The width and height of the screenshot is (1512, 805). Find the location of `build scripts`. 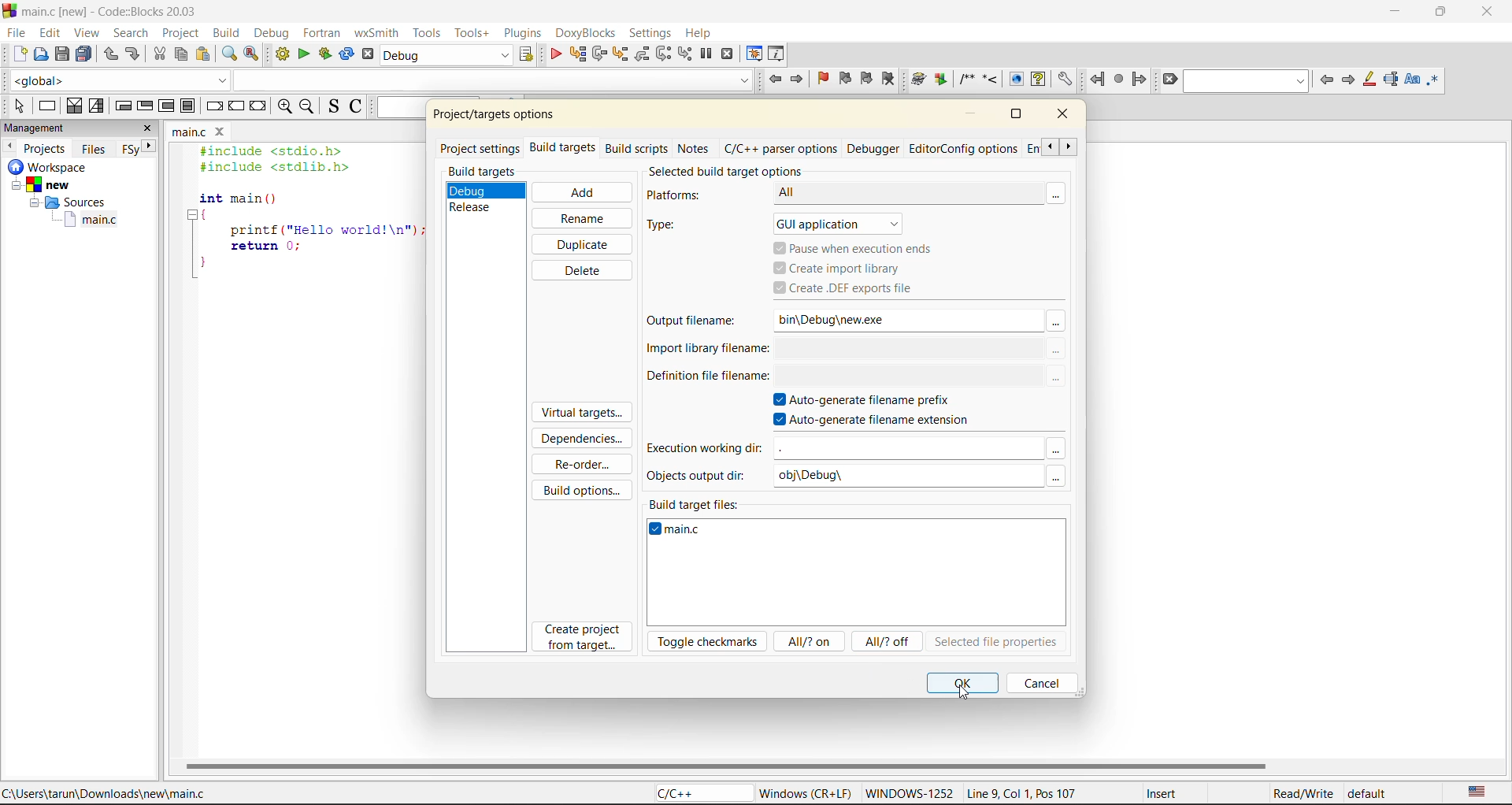

build scripts is located at coordinates (638, 149).